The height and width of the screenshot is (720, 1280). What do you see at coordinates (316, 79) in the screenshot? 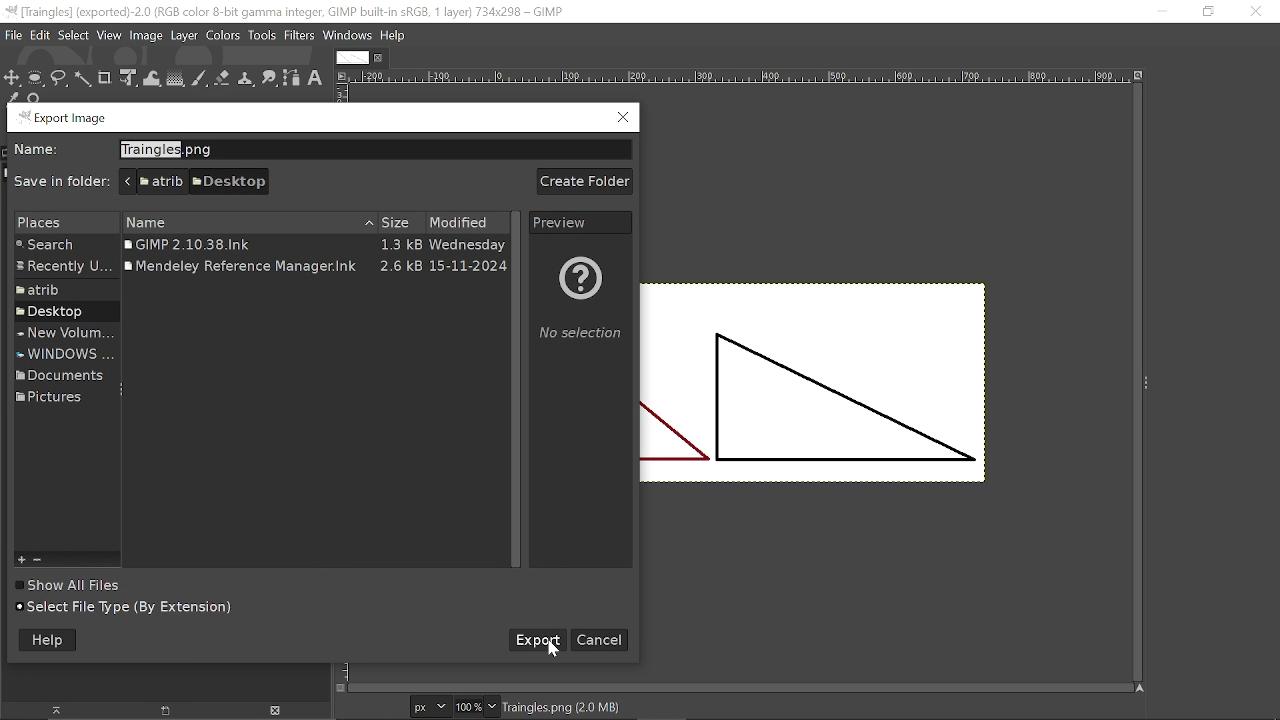
I see `Text tool` at bounding box center [316, 79].